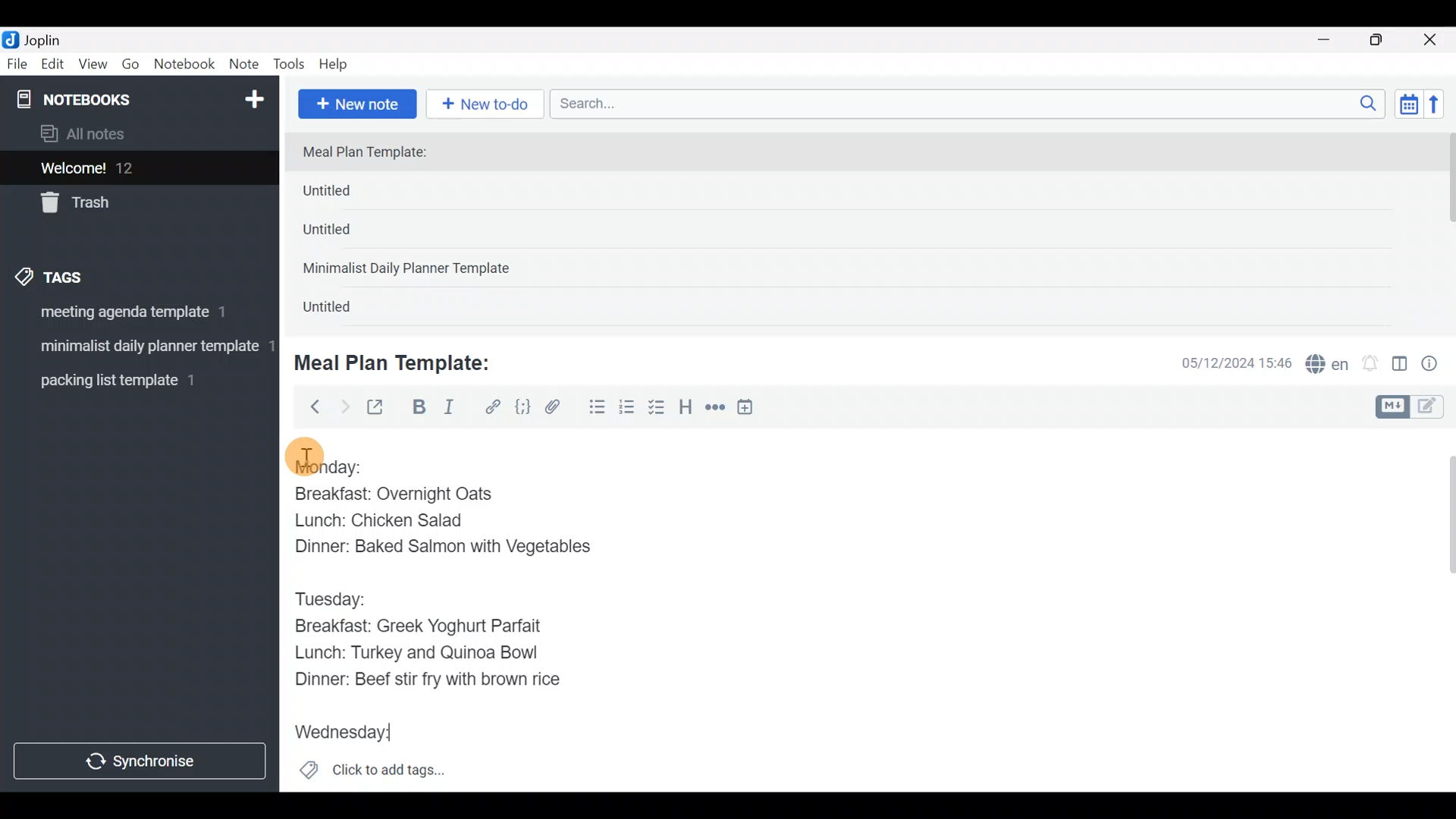 This screenshot has height=819, width=1456. What do you see at coordinates (1385, 40) in the screenshot?
I see `Maximize` at bounding box center [1385, 40].